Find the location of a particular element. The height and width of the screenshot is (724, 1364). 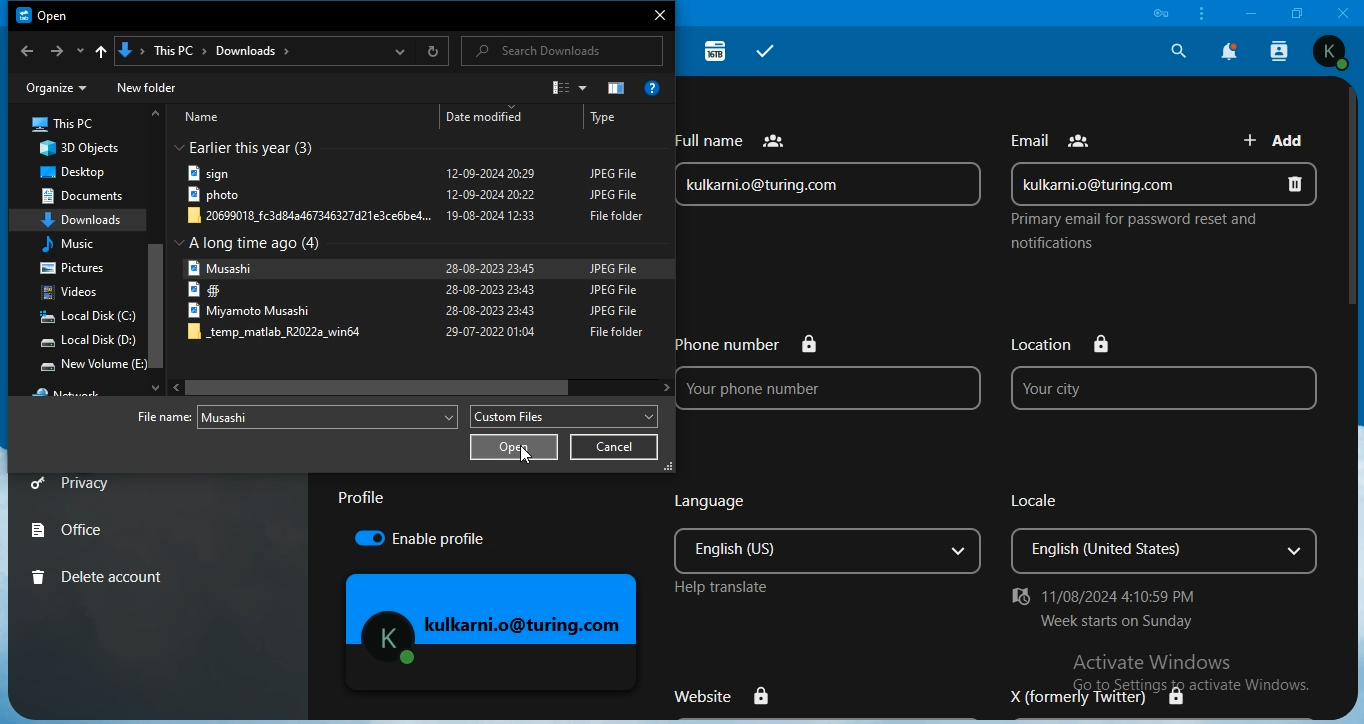

text is located at coordinates (400, 118).